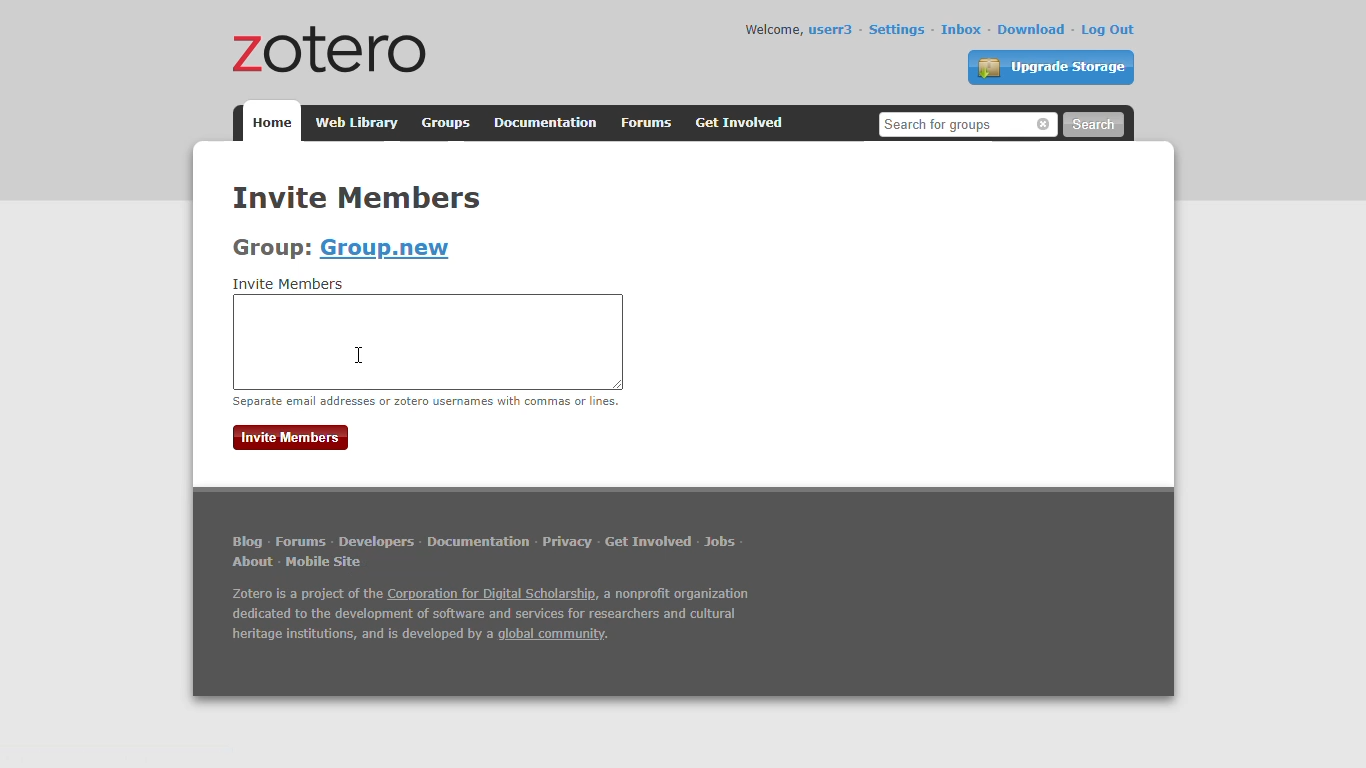  Describe the element at coordinates (961, 29) in the screenshot. I see `inbox` at that location.